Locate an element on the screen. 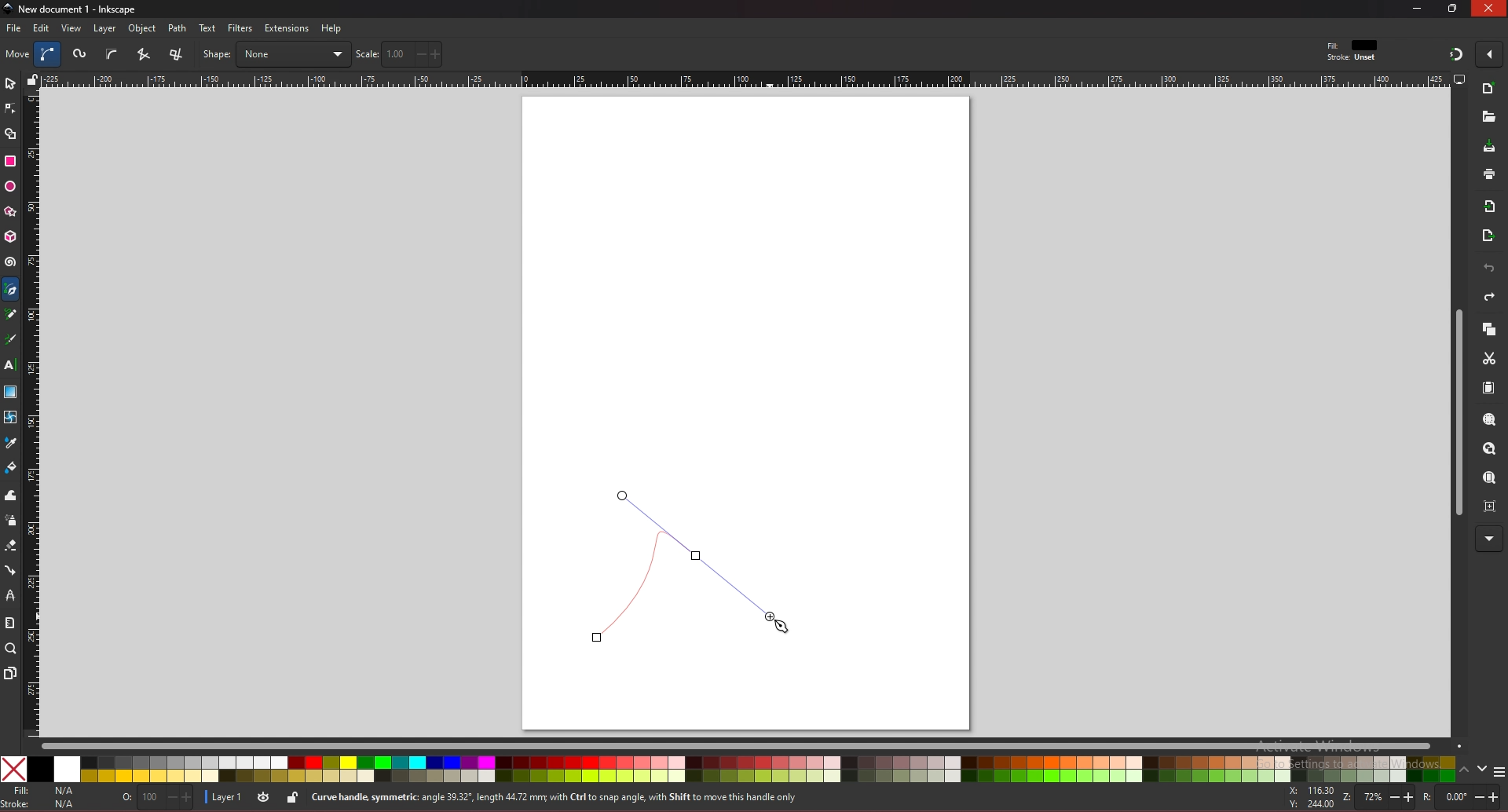 This screenshot has width=1508, height=812. dropper is located at coordinates (11, 444).